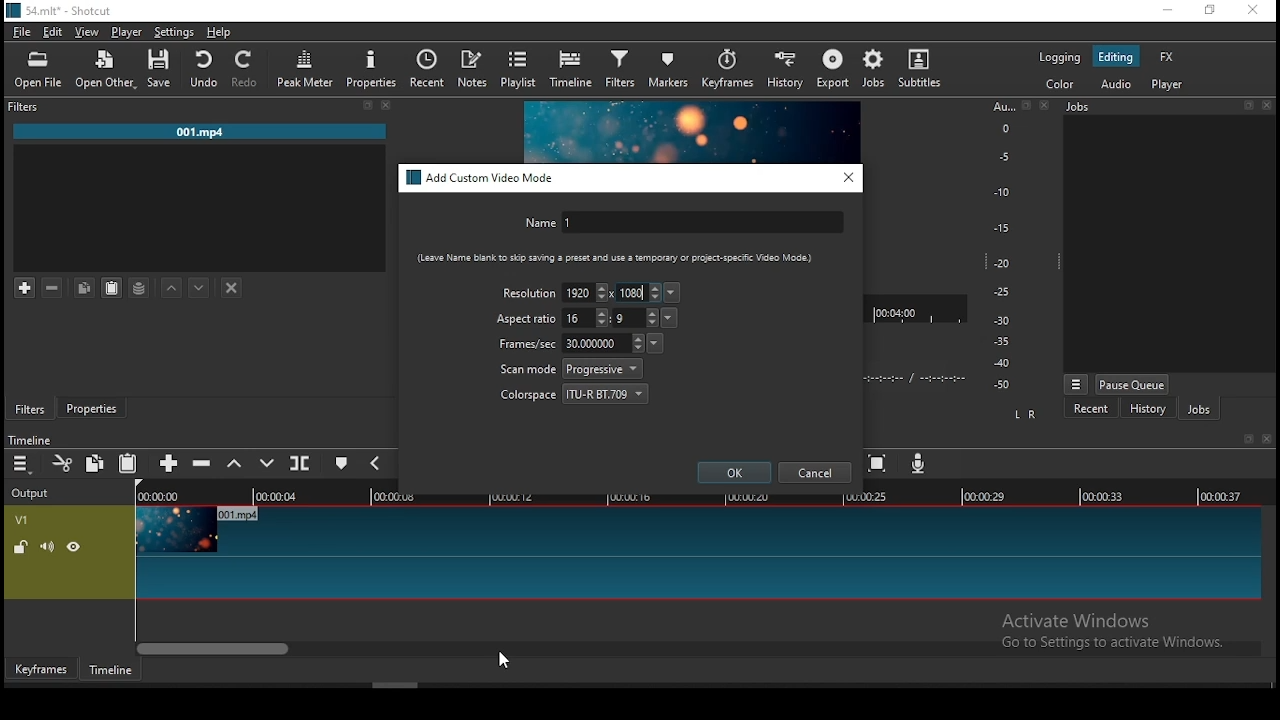 The width and height of the screenshot is (1280, 720). Describe the element at coordinates (269, 463) in the screenshot. I see `overwrite` at that location.